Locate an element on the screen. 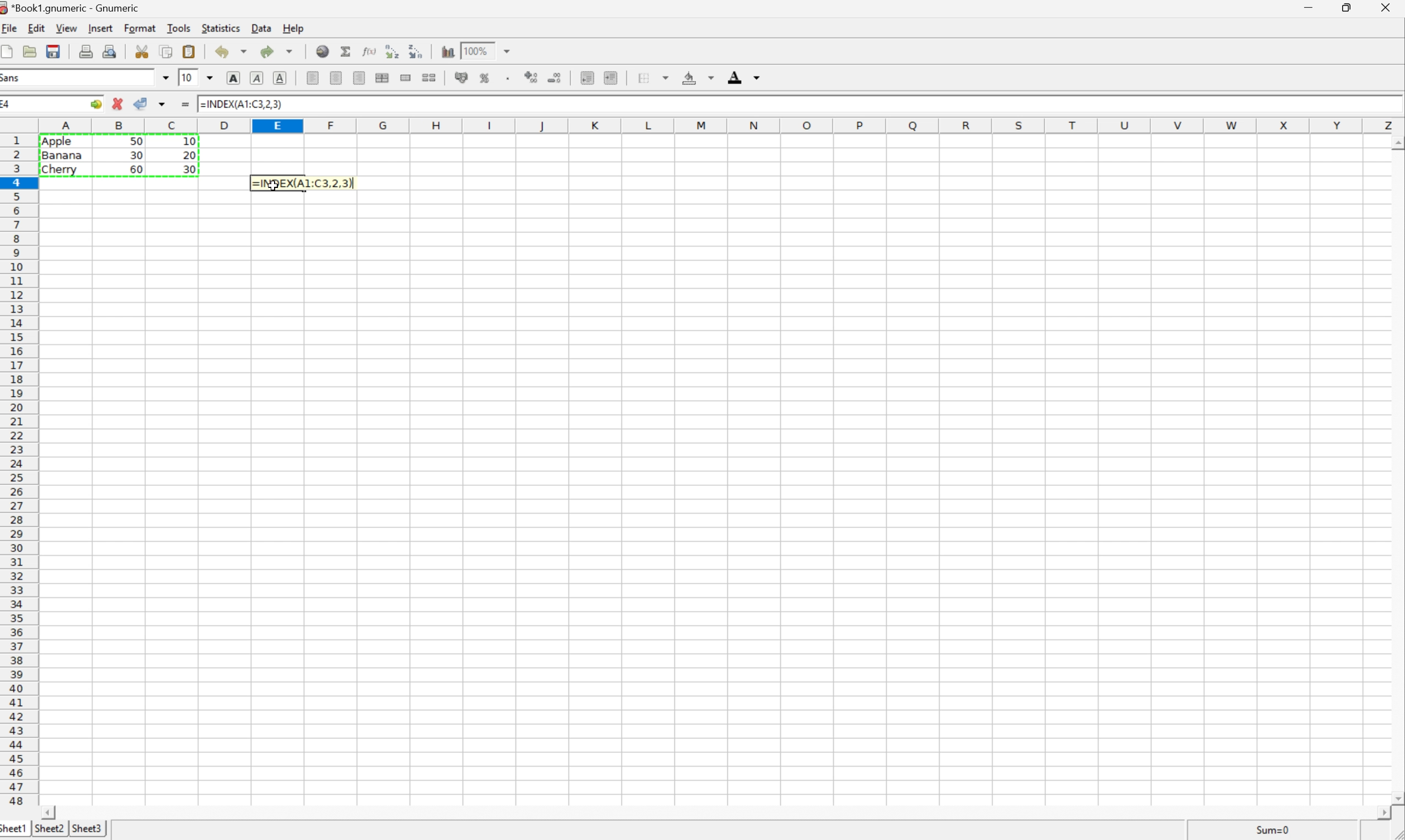 Image resolution: width=1405 pixels, height=840 pixels. center horizontally is located at coordinates (336, 78).